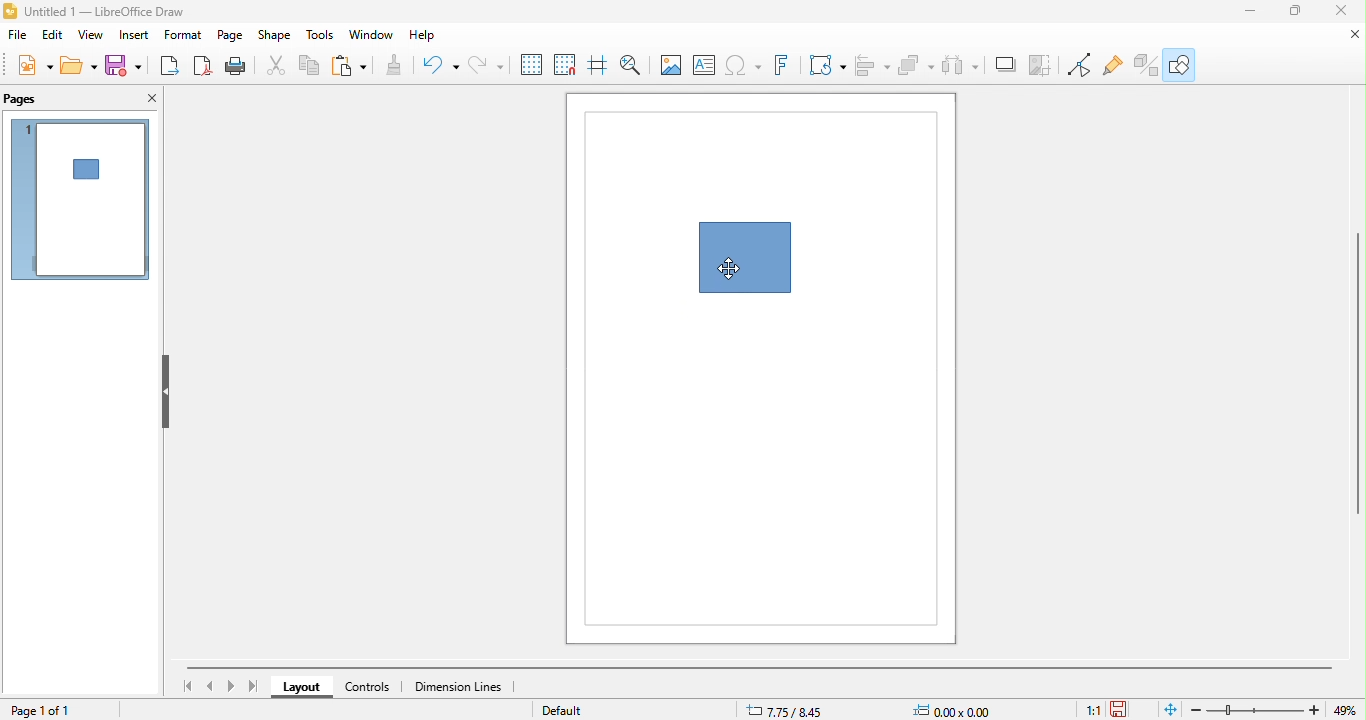 This screenshot has width=1366, height=720. I want to click on crop image, so click(1005, 65).